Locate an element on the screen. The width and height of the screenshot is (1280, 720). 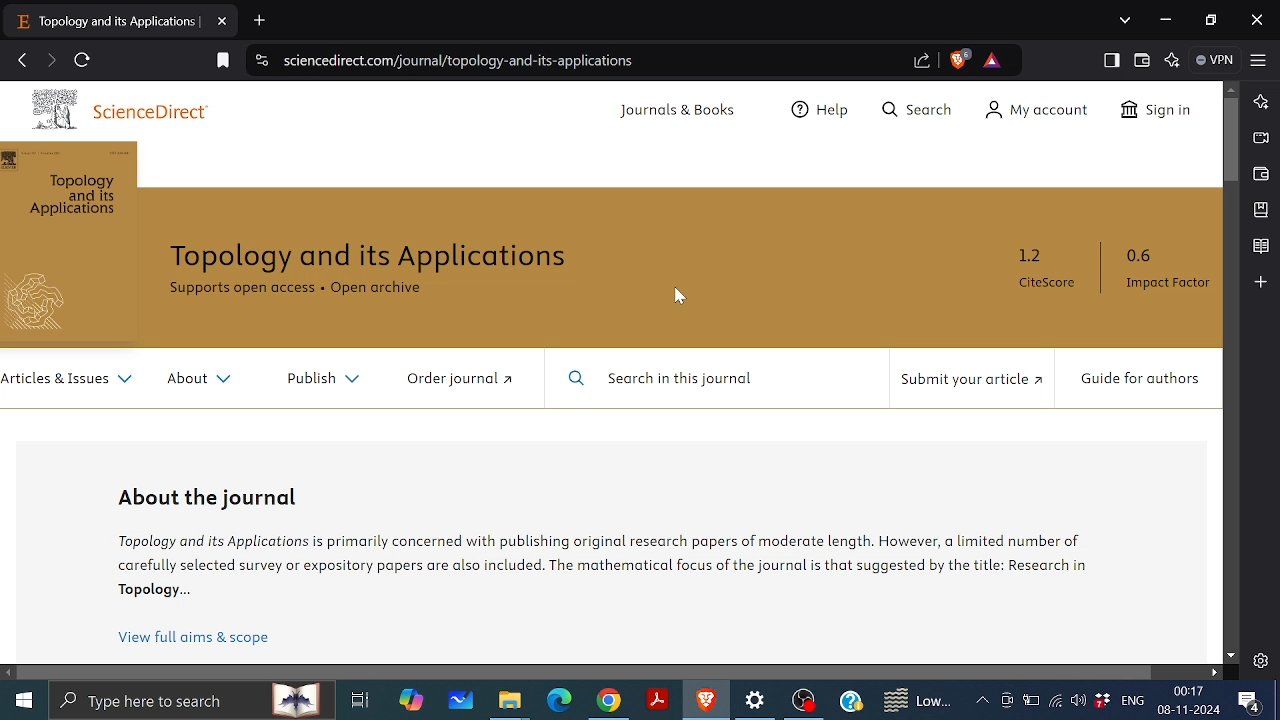
Topology and its Applications is located at coordinates (371, 257).